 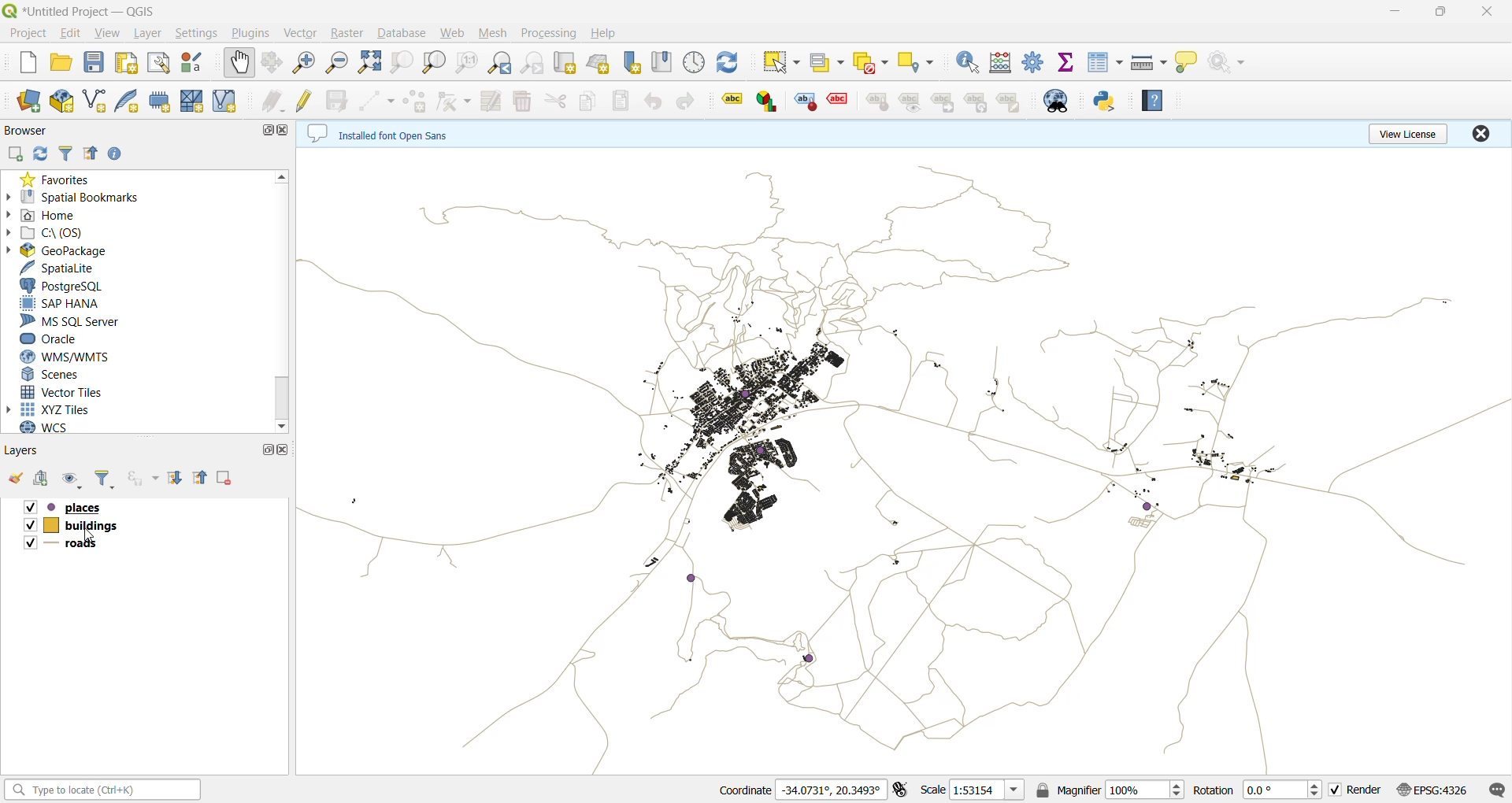 What do you see at coordinates (1497, 789) in the screenshot?
I see `log messages` at bounding box center [1497, 789].